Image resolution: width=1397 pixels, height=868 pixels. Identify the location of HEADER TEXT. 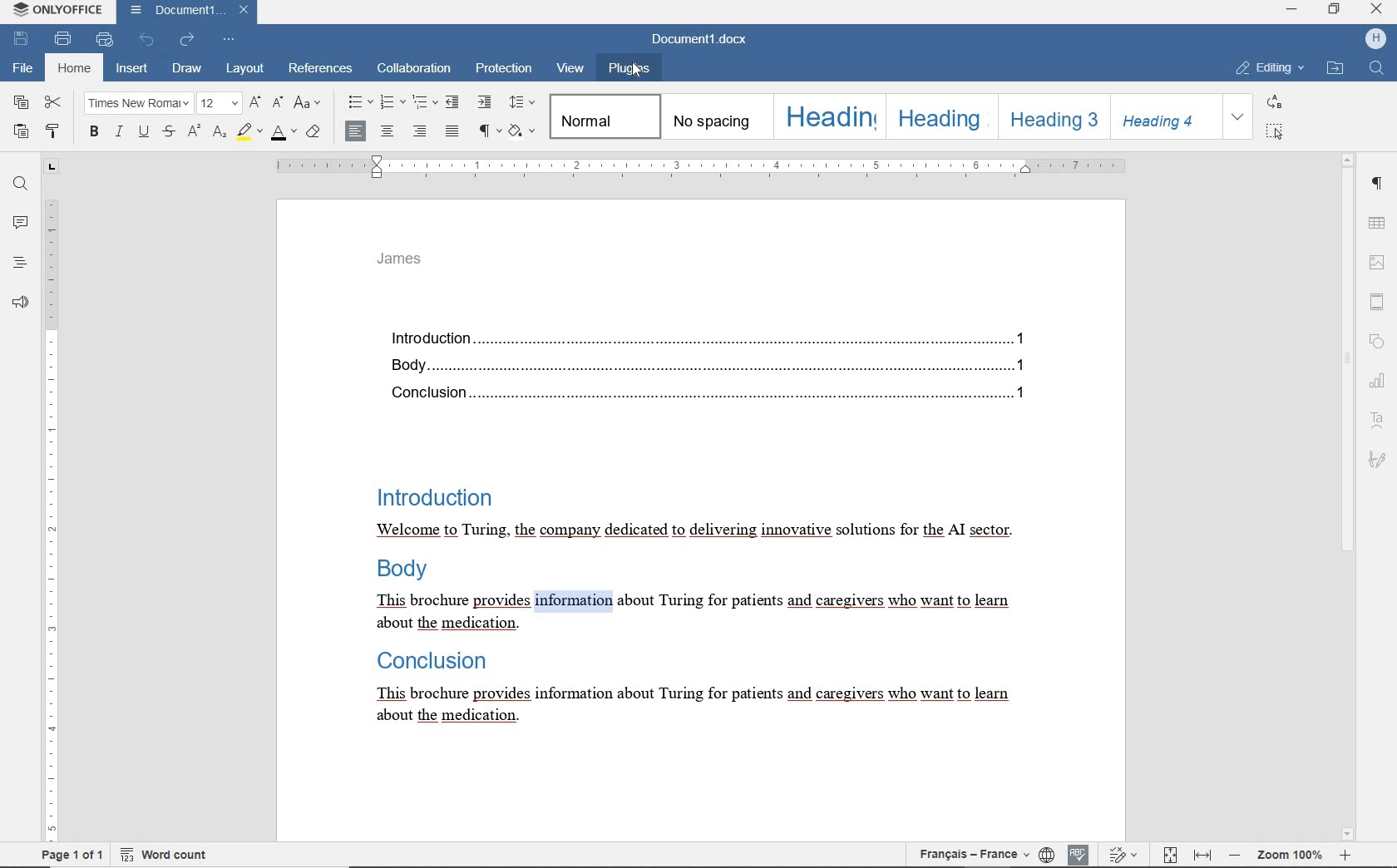
(403, 264).